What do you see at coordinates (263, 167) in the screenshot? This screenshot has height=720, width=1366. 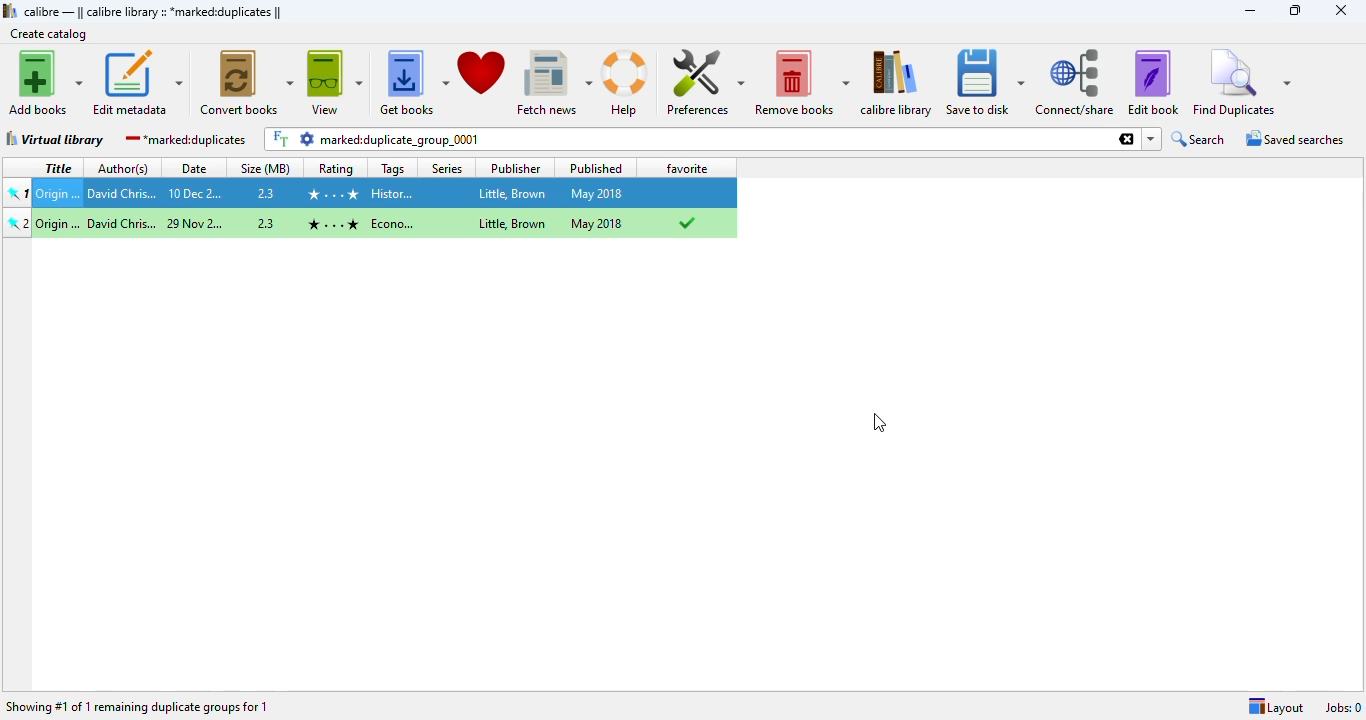 I see `size (MB)` at bounding box center [263, 167].